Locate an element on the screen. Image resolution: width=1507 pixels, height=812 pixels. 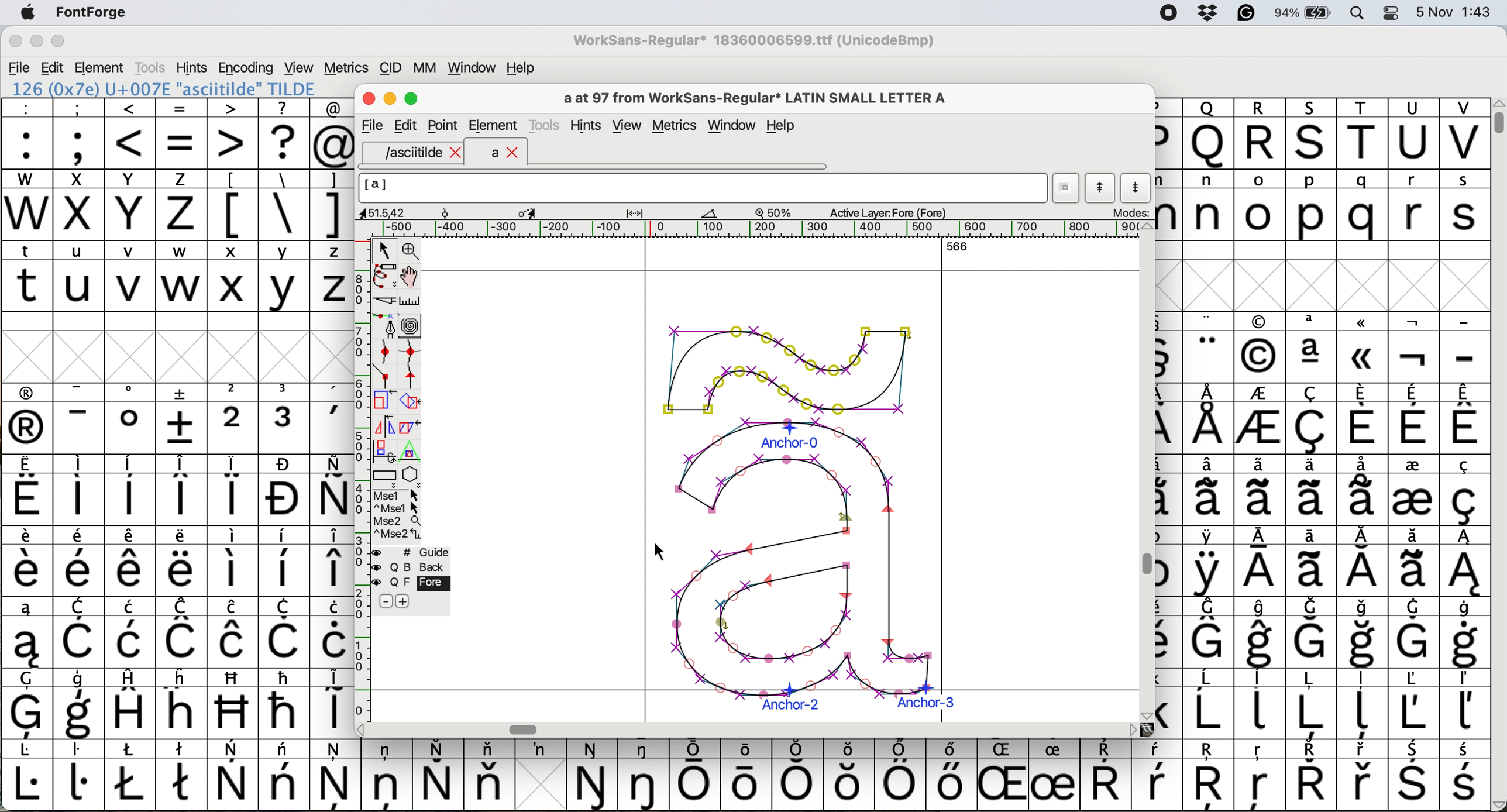
hints is located at coordinates (588, 126).